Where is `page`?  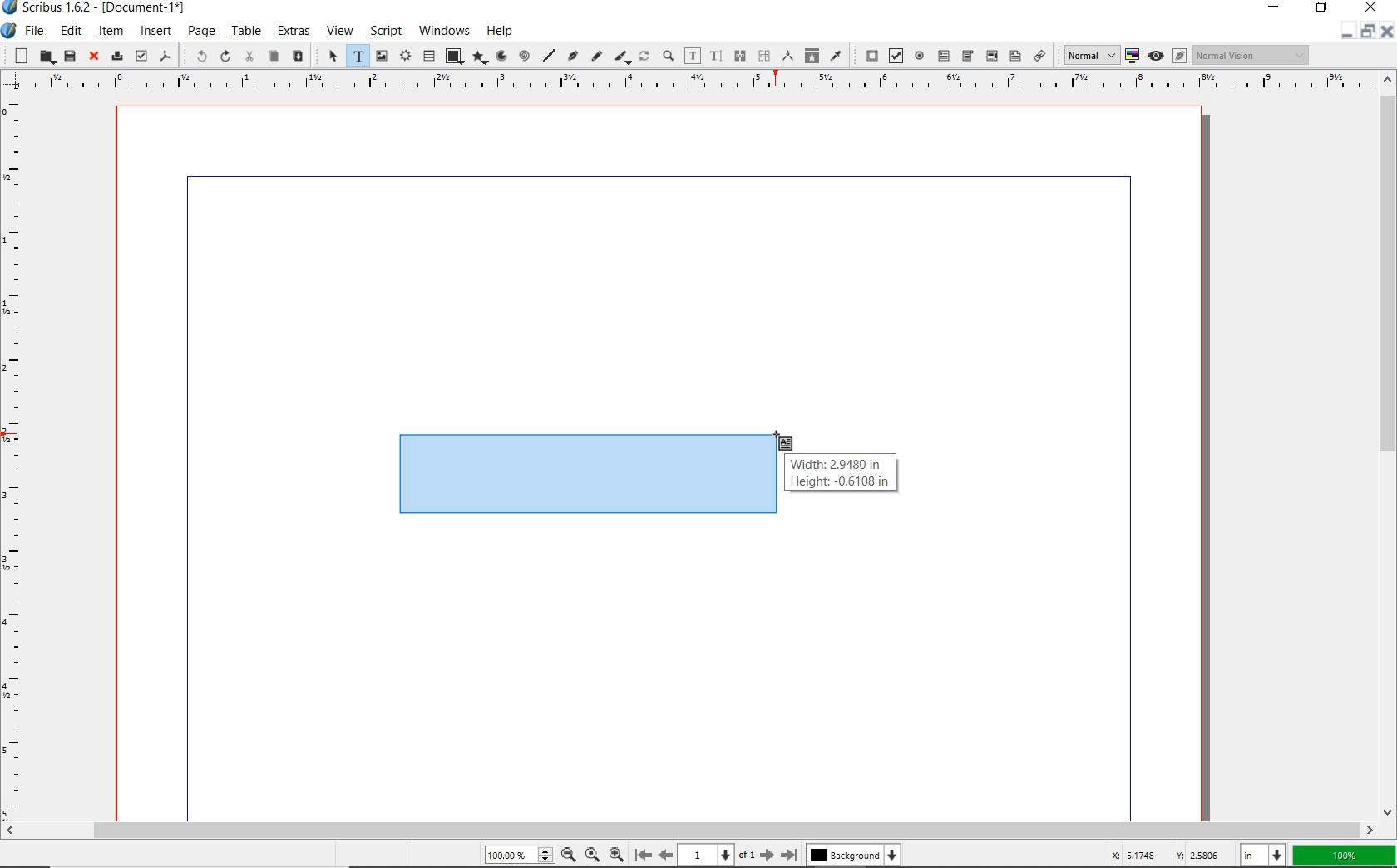 page is located at coordinates (200, 32).